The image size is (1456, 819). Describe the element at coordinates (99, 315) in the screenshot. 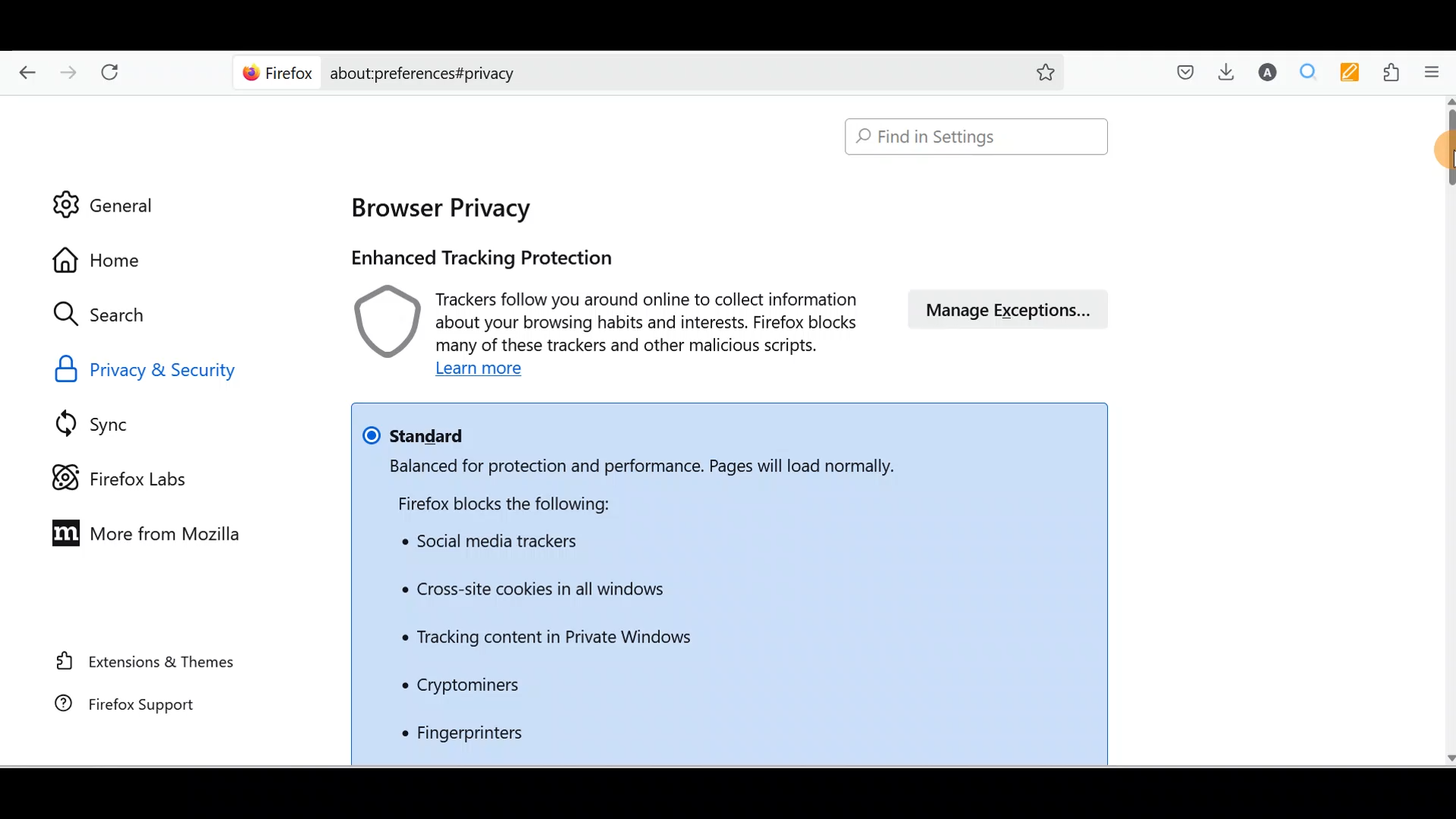

I see `Search` at that location.